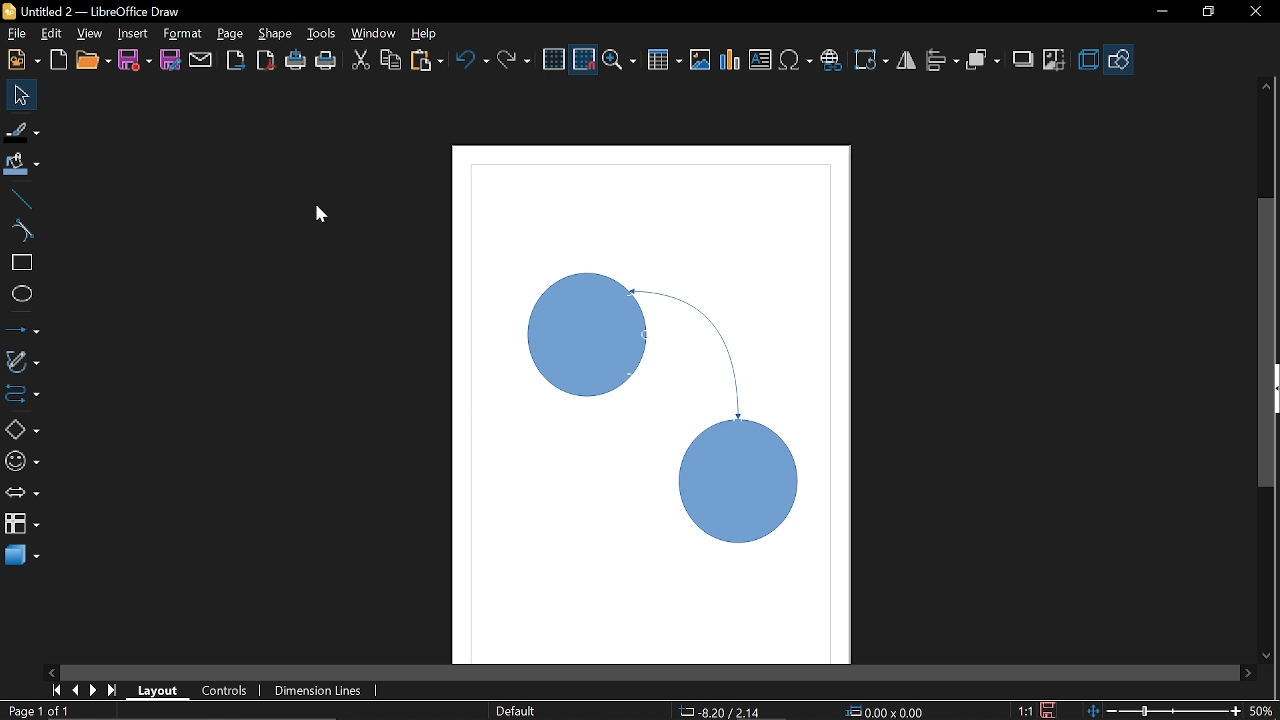 This screenshot has width=1280, height=720. I want to click on CUt , so click(361, 60).